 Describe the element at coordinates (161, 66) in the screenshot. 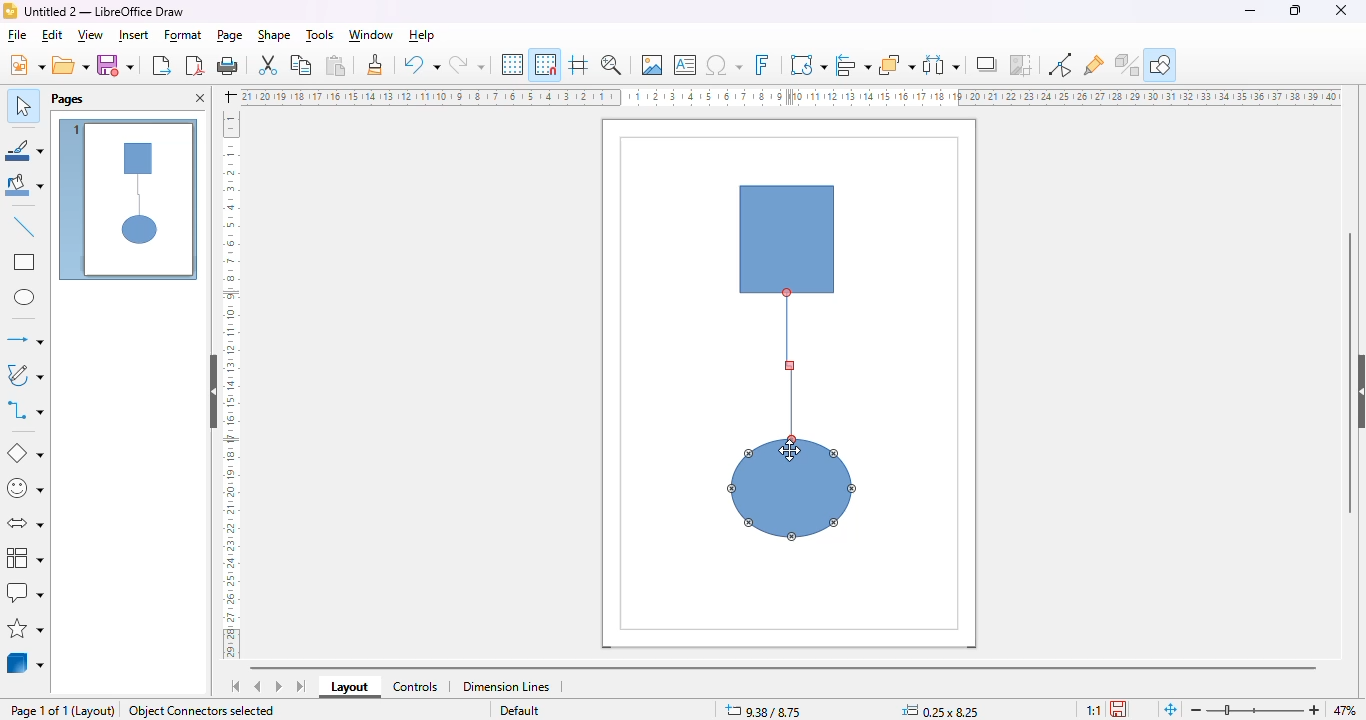

I see `export` at that location.